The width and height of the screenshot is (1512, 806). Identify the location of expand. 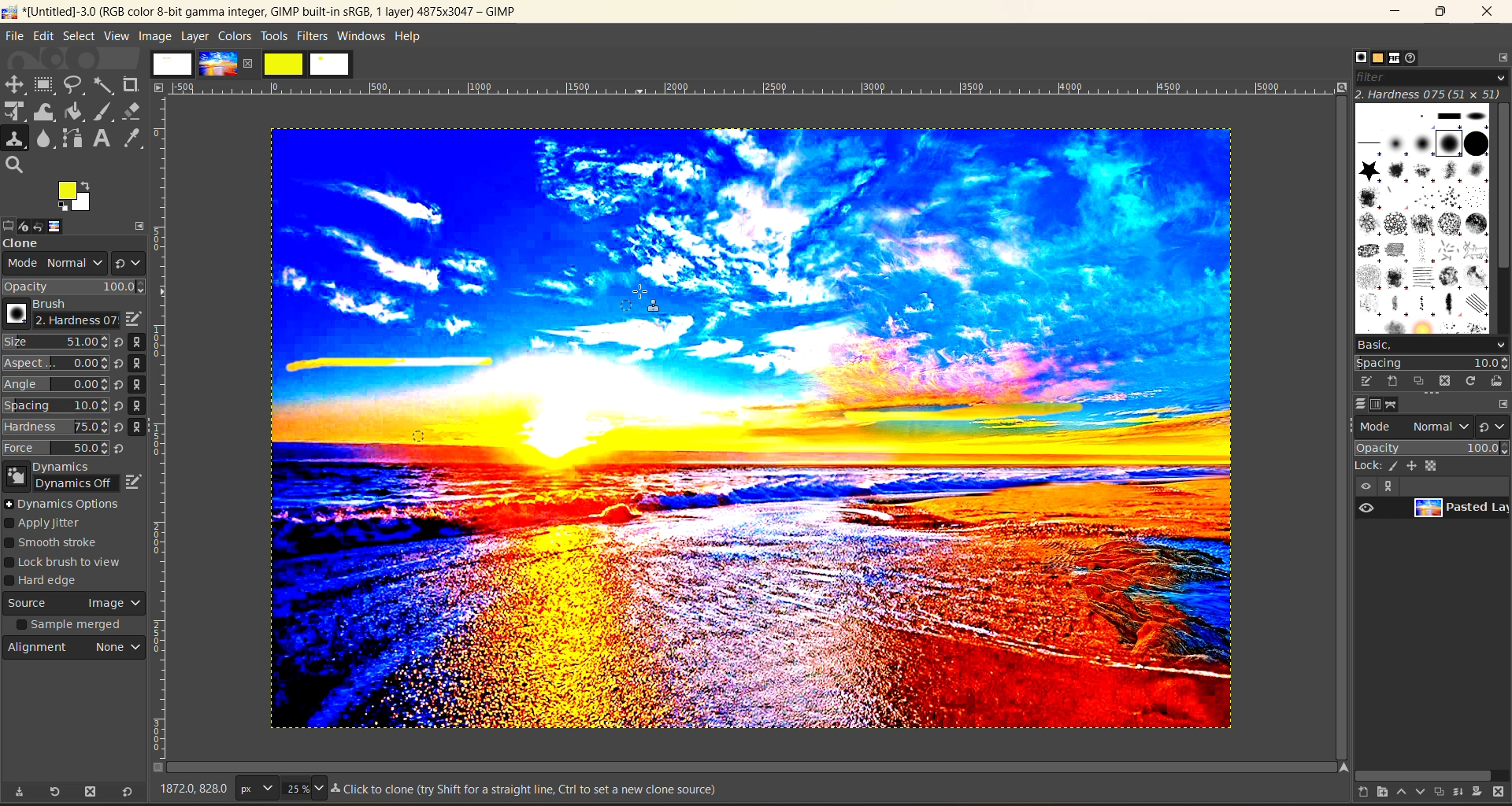
(140, 224).